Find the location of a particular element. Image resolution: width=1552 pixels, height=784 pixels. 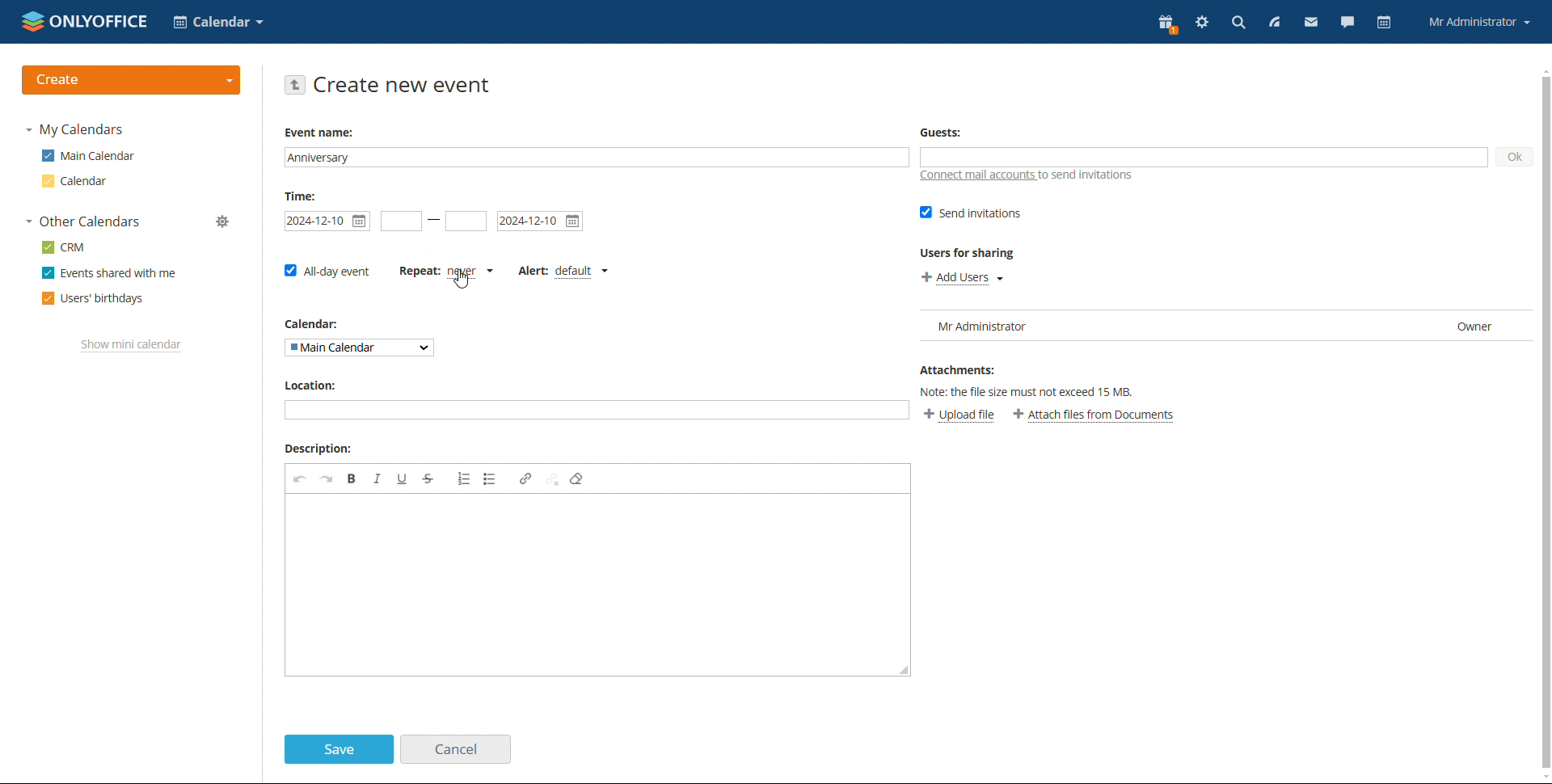

onlyoffice logo is located at coordinates (33, 22).